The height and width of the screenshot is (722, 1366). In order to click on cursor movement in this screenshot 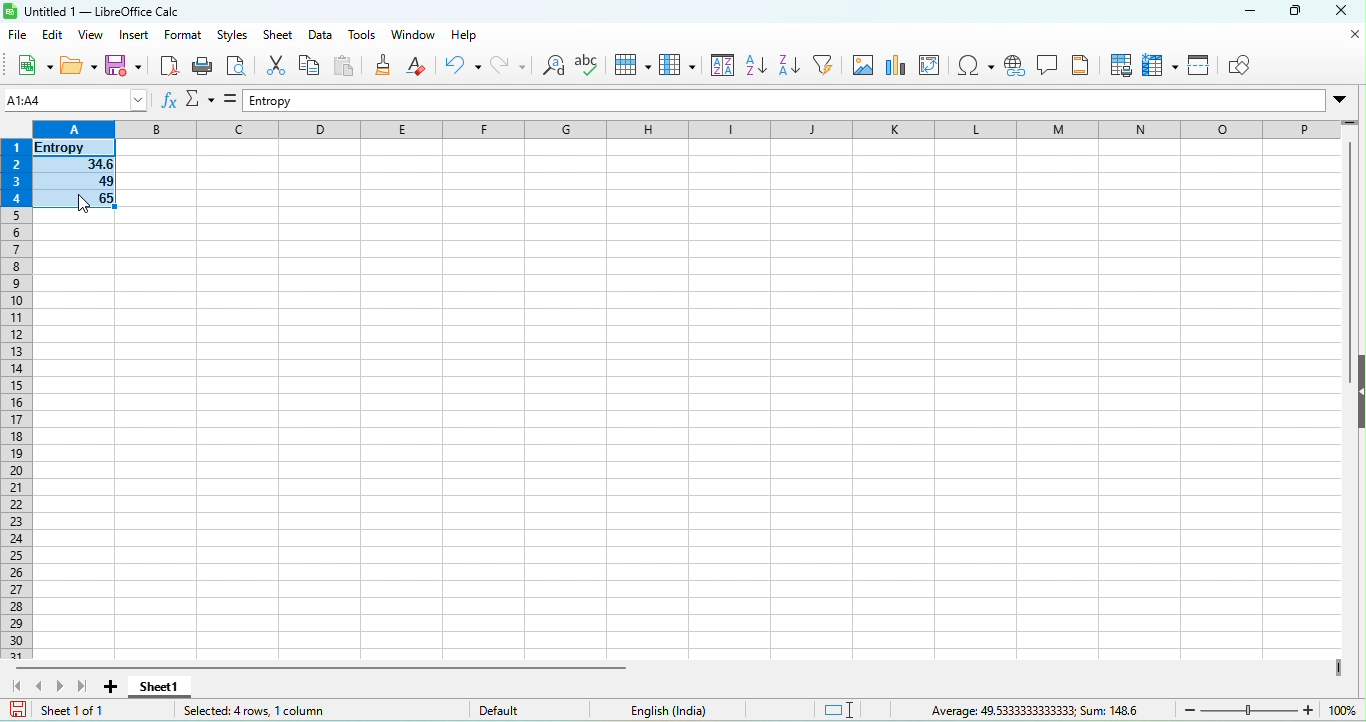, I will do `click(82, 204)`.